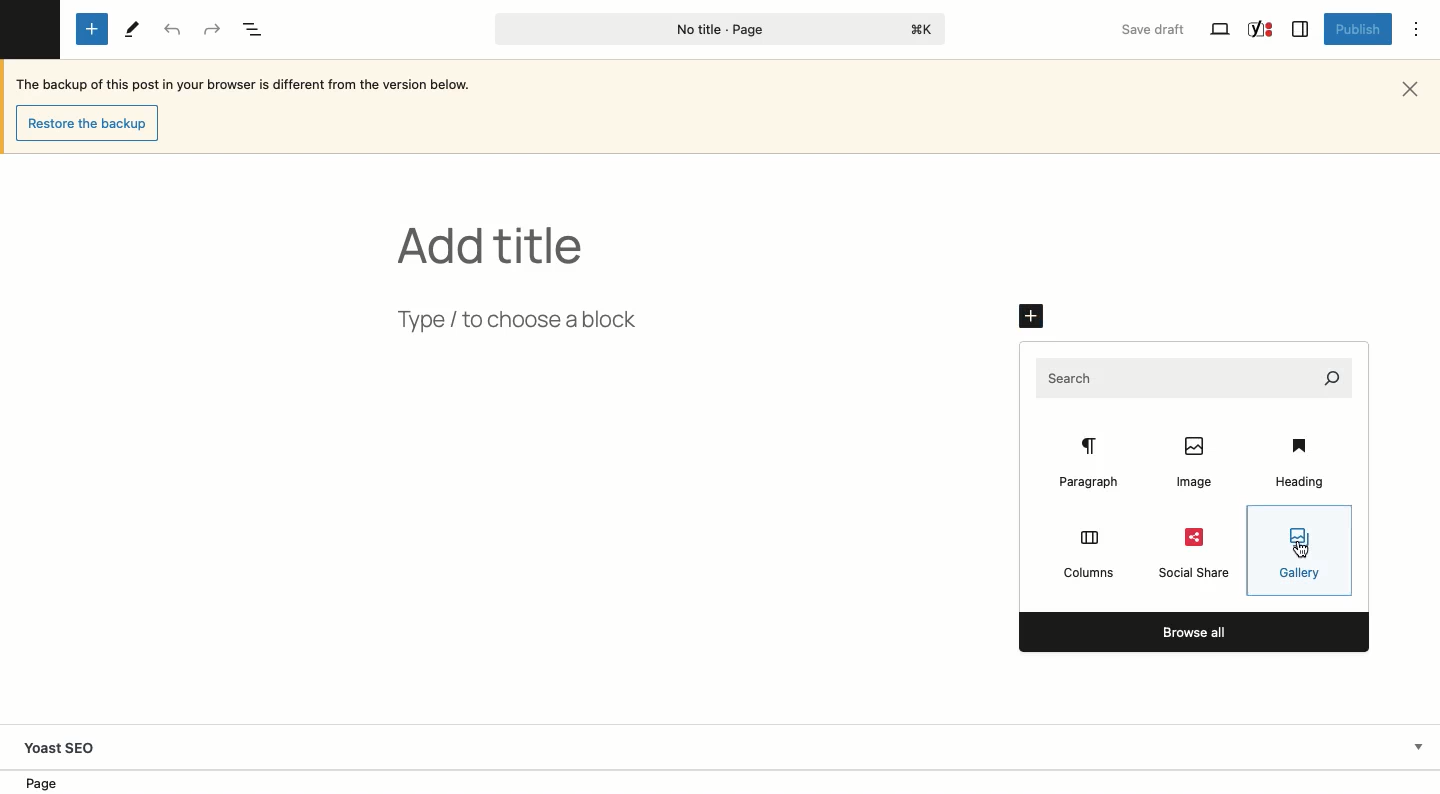 Image resolution: width=1440 pixels, height=794 pixels. What do you see at coordinates (1261, 30) in the screenshot?
I see `Yoast SEO` at bounding box center [1261, 30].